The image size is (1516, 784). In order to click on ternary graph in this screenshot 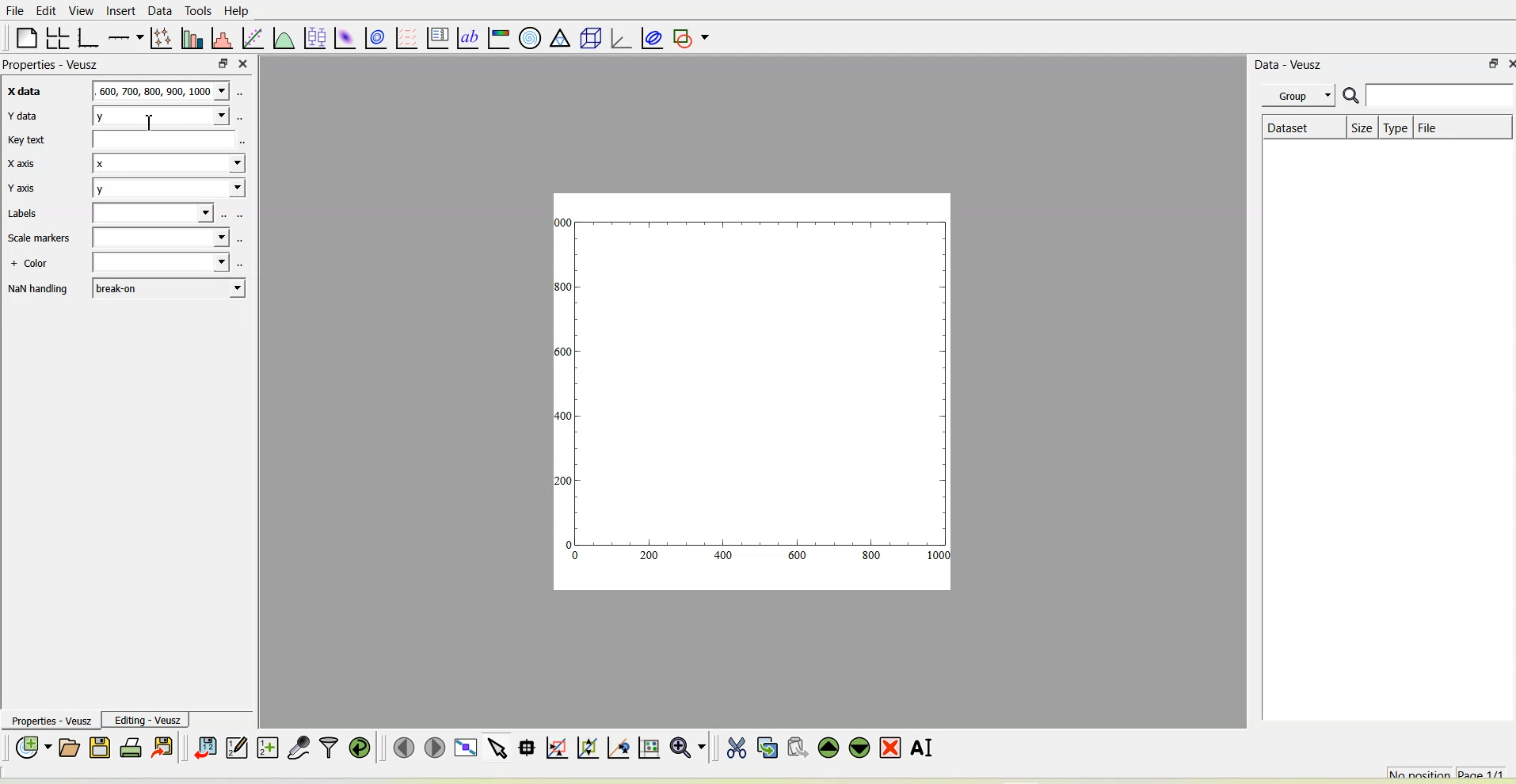, I will do `click(560, 38)`.